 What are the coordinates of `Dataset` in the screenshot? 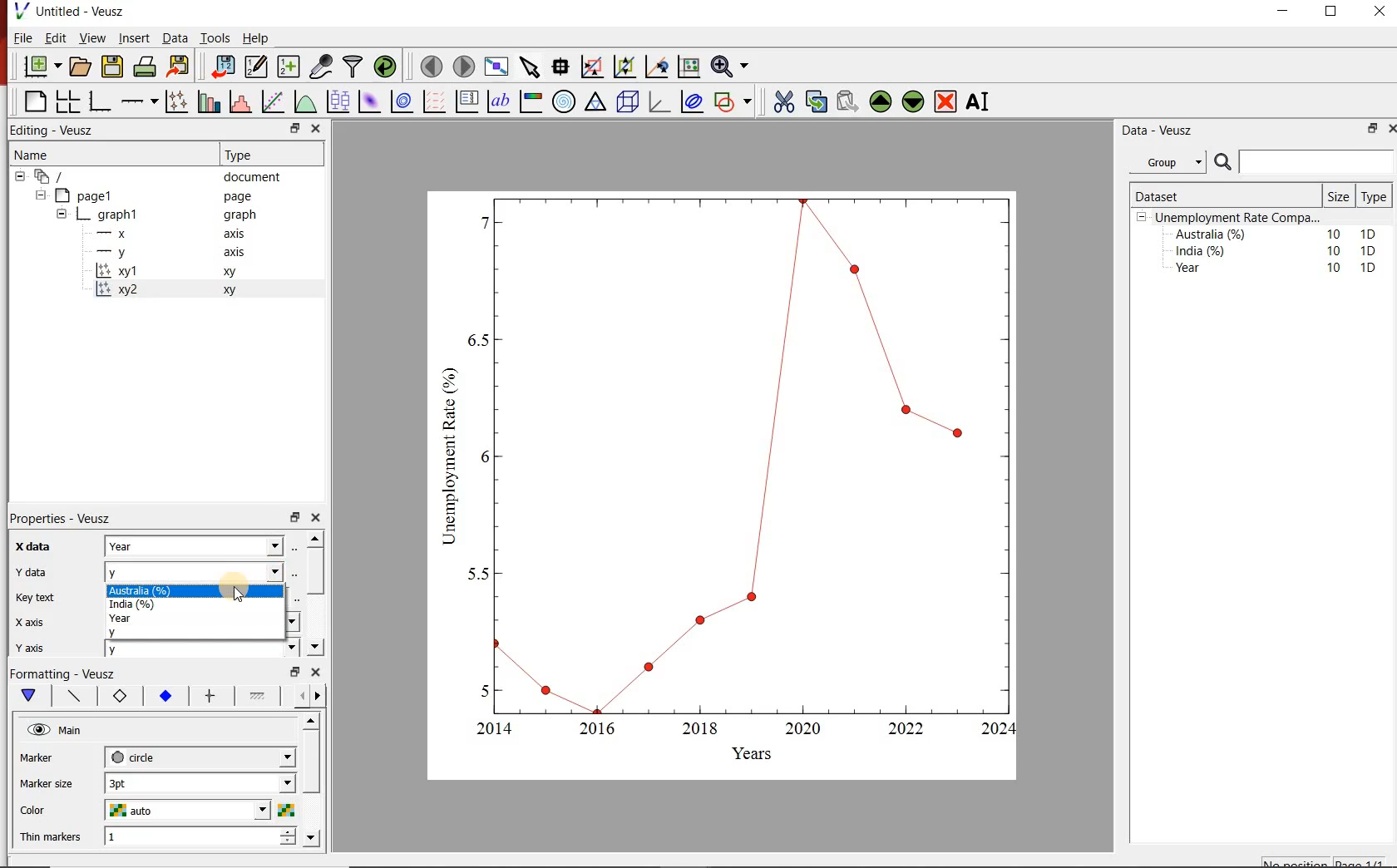 It's located at (1196, 196).